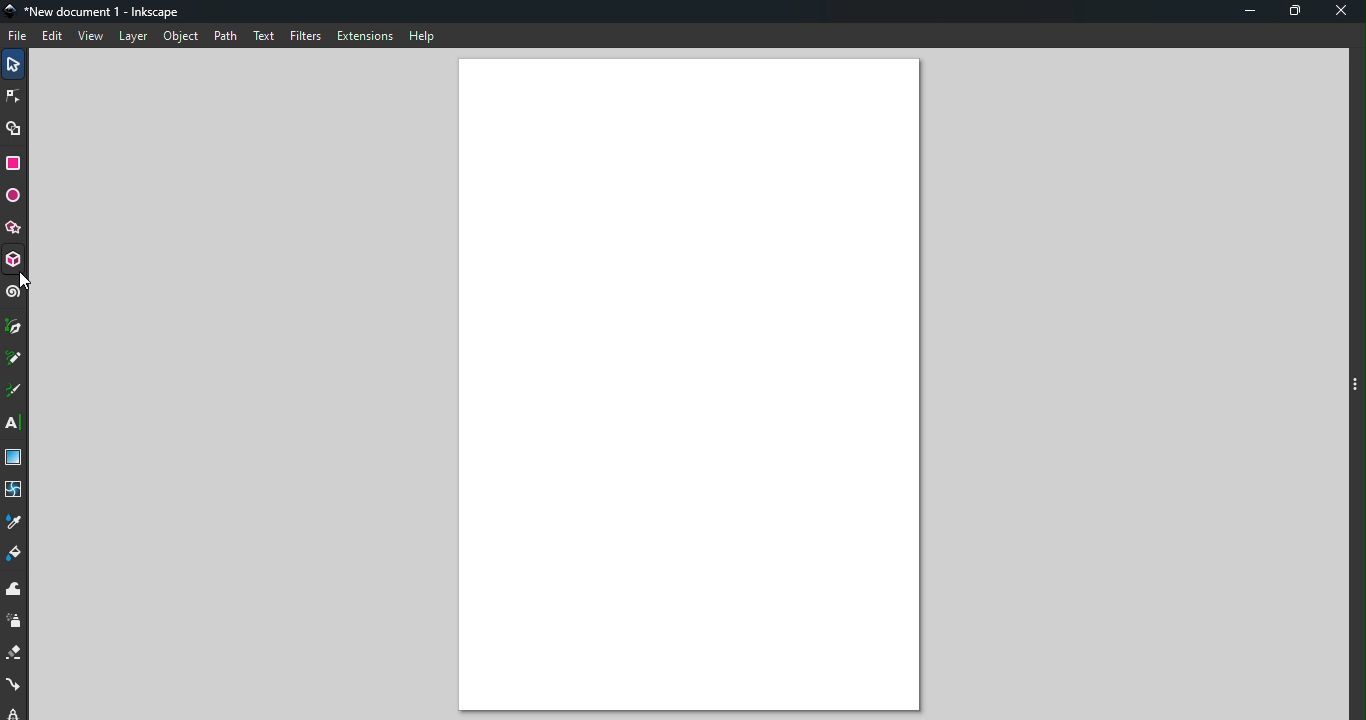 This screenshot has height=720, width=1366. Describe the element at coordinates (133, 38) in the screenshot. I see `Layer` at that location.